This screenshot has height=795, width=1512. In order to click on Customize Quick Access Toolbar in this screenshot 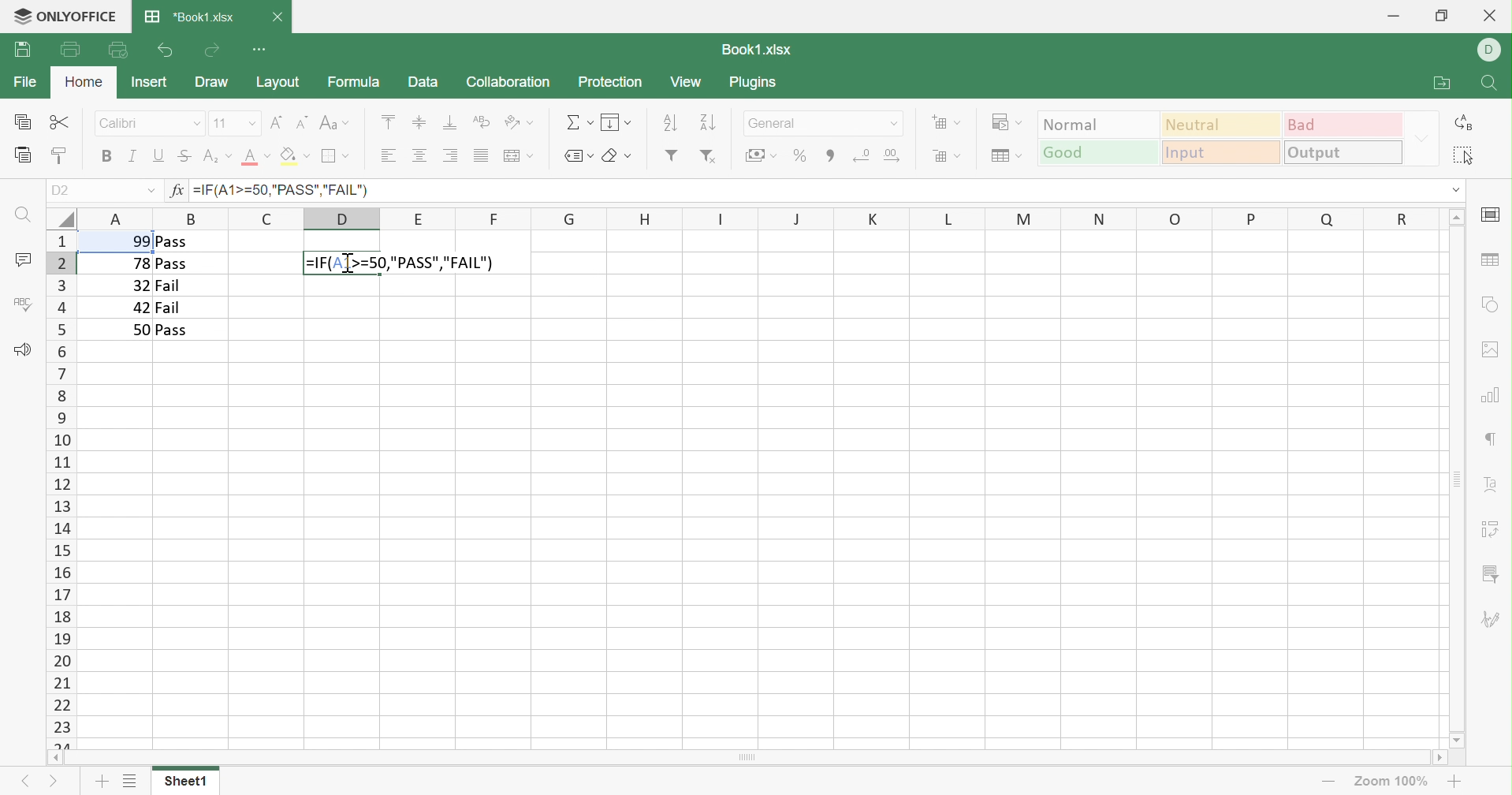, I will do `click(262, 50)`.